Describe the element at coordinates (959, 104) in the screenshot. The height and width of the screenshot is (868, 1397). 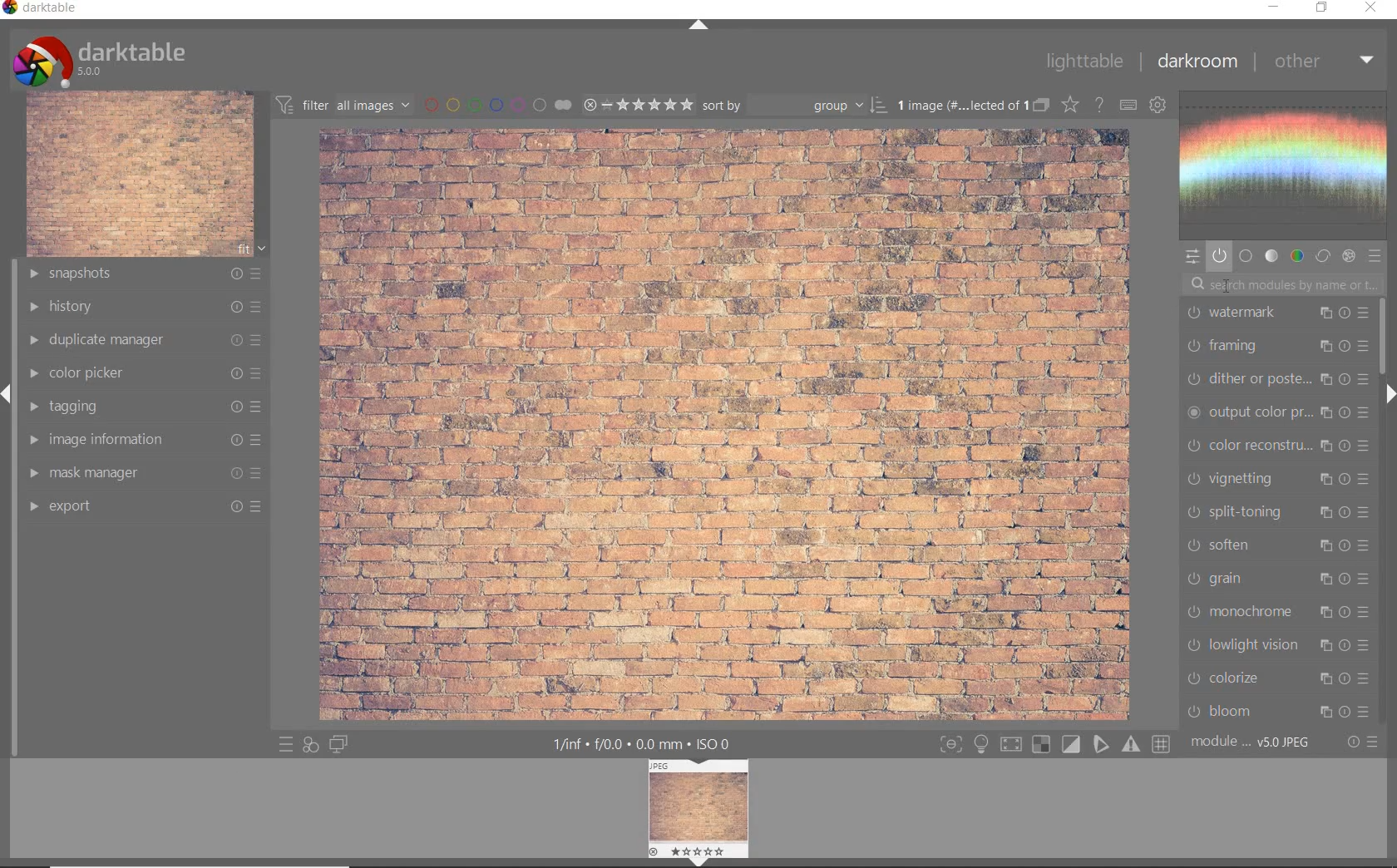
I see `1 image (# ... lected of` at that location.